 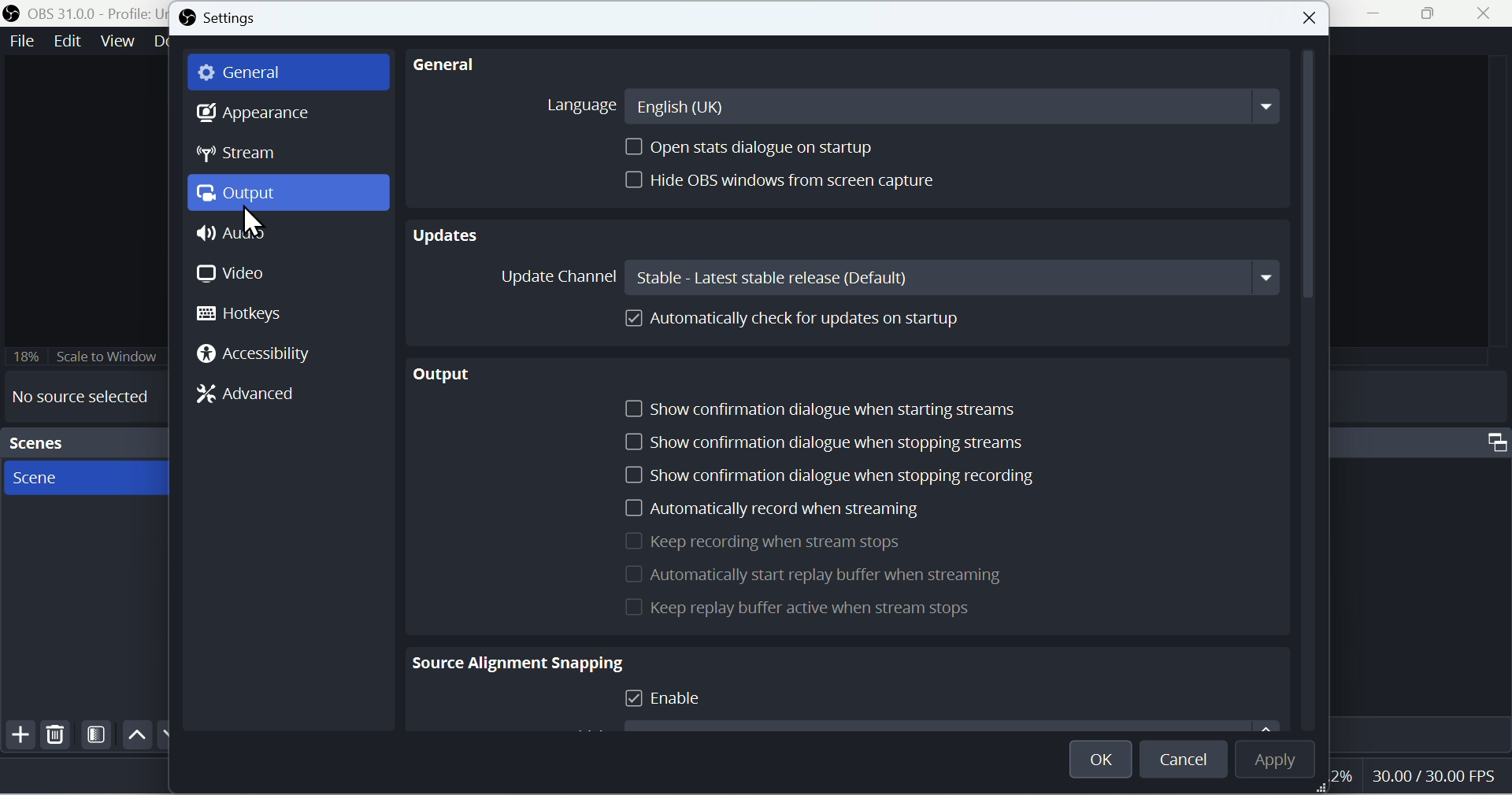 I want to click on J Show confirmation dialogue when starting streams, so click(x=832, y=408).